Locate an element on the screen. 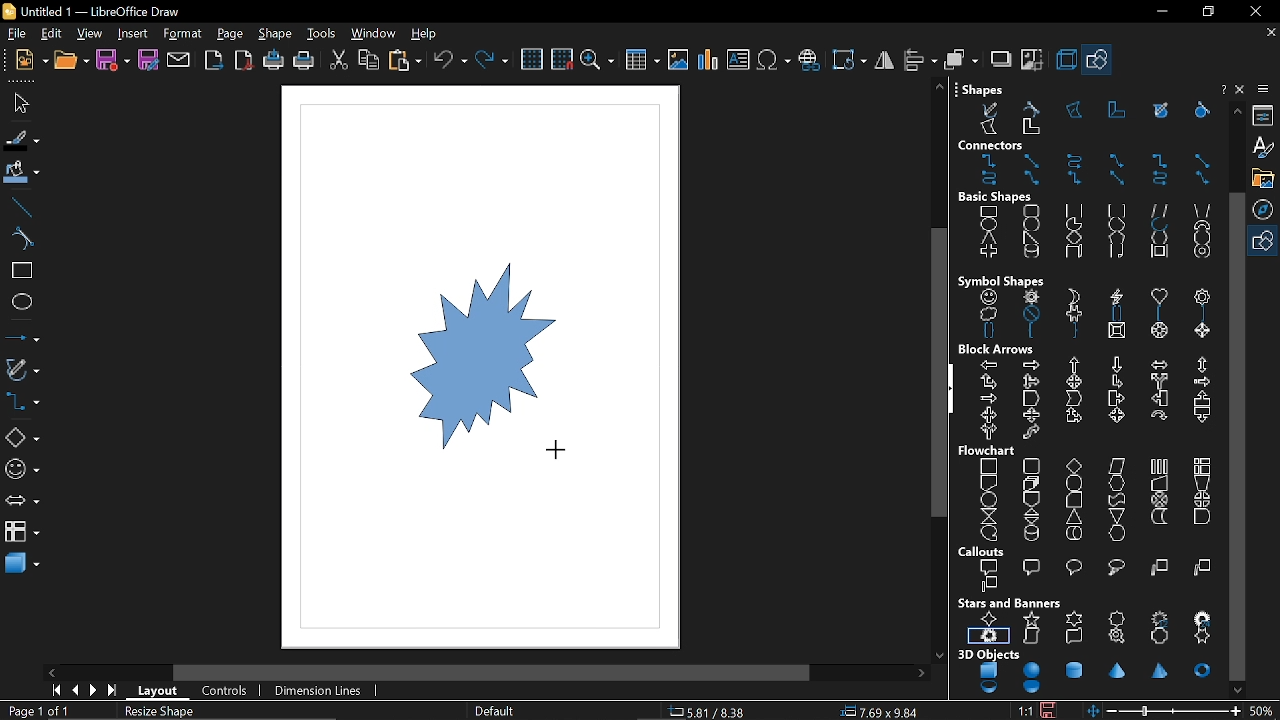 The height and width of the screenshot is (720, 1280). symbol shapes is located at coordinates (20, 472).